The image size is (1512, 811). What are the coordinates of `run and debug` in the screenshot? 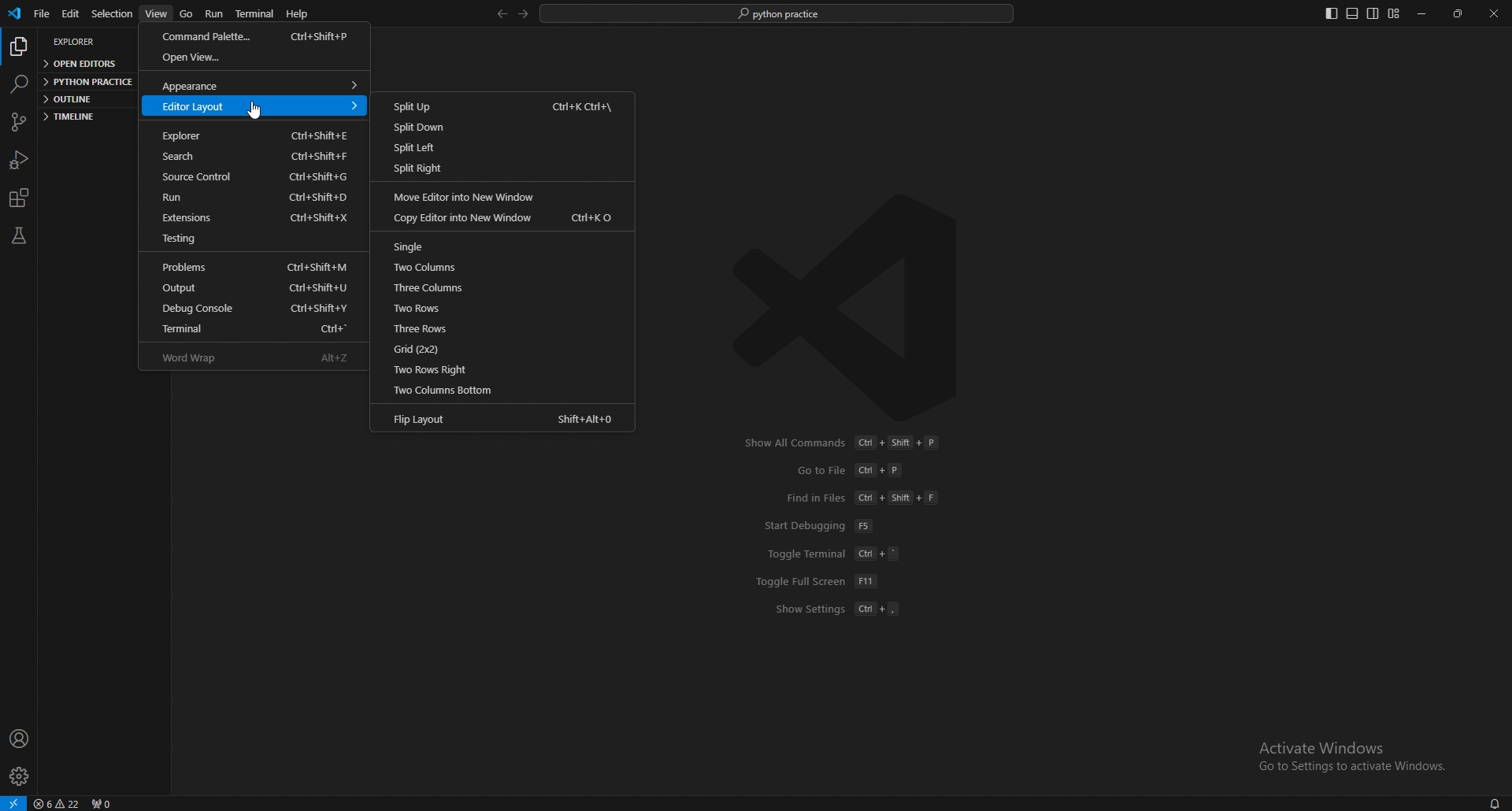 It's located at (18, 161).